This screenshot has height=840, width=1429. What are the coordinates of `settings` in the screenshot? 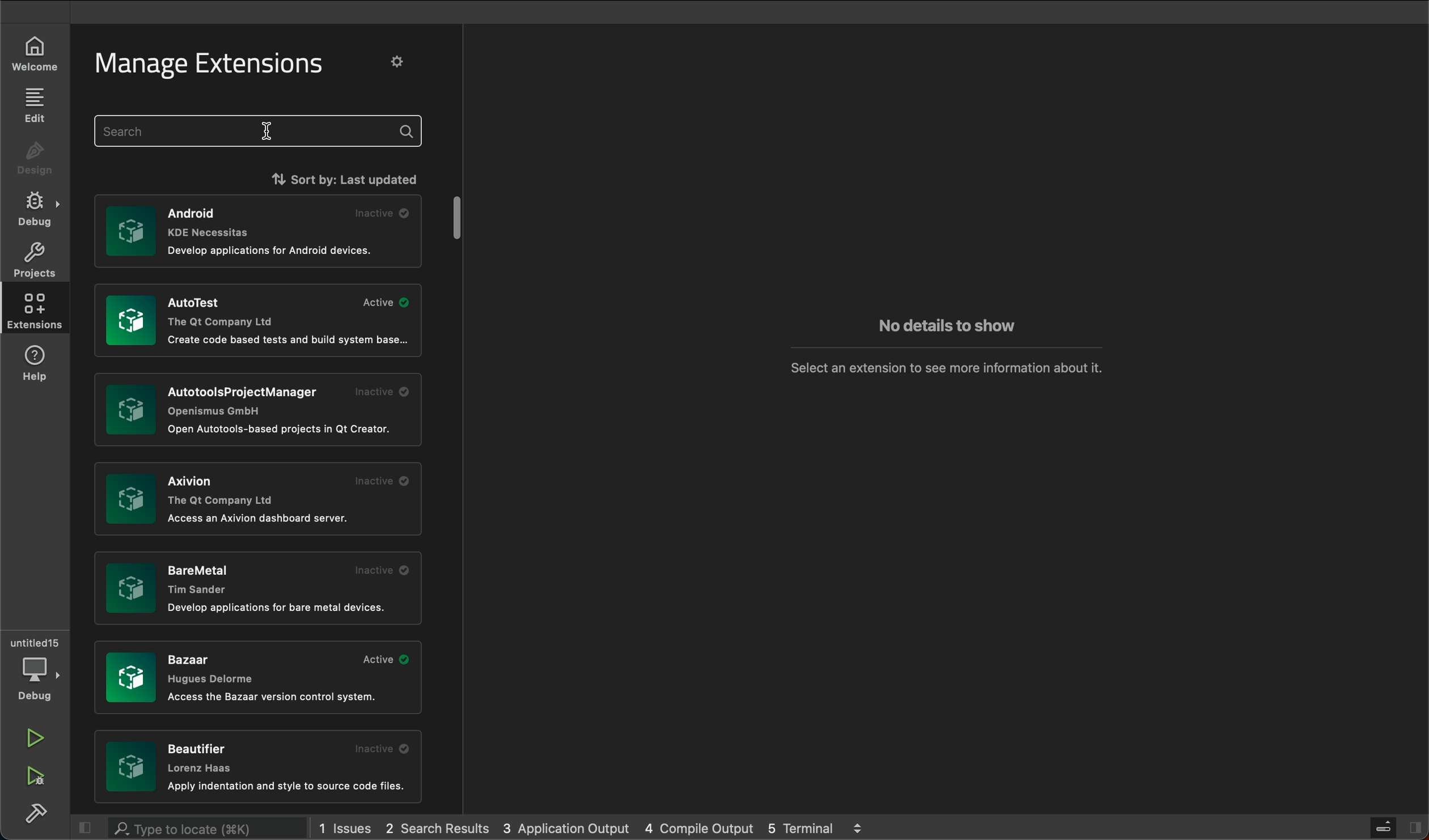 It's located at (399, 61).